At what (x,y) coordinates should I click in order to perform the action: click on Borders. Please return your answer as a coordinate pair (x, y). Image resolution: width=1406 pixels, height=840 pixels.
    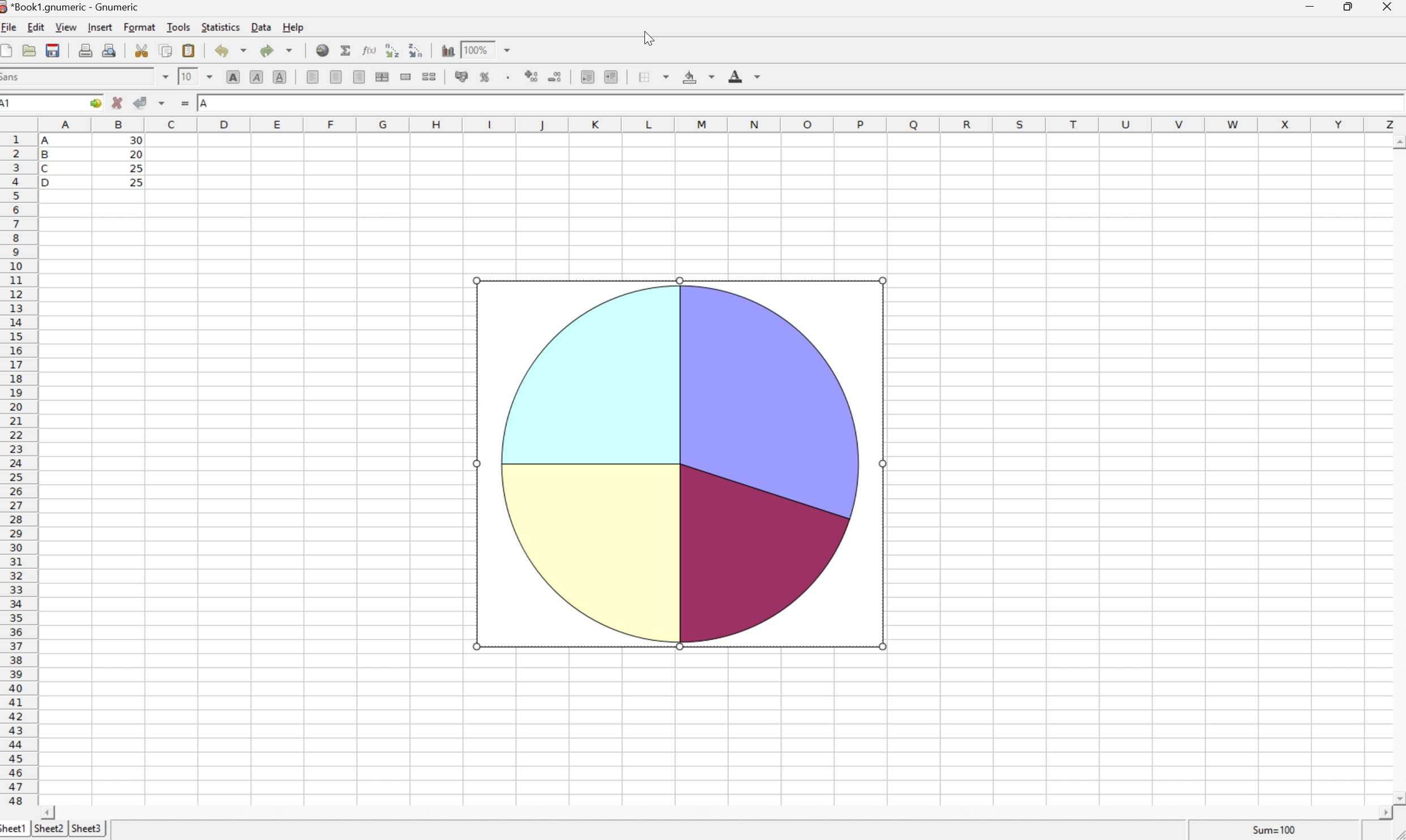
    Looking at the image, I should click on (649, 76).